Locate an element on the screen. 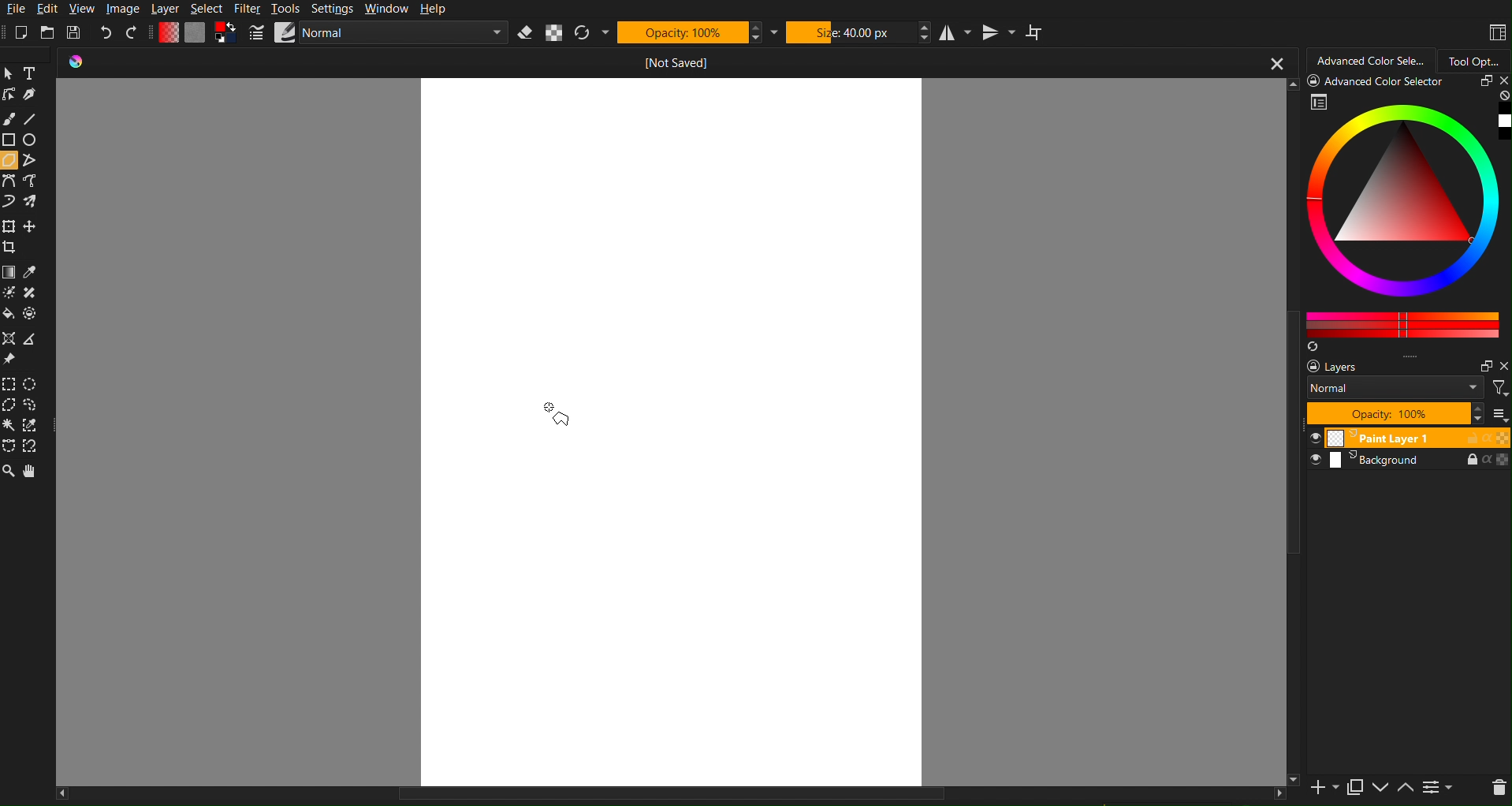 This screenshot has width=1512, height=806. Workspaces is located at coordinates (1496, 32).